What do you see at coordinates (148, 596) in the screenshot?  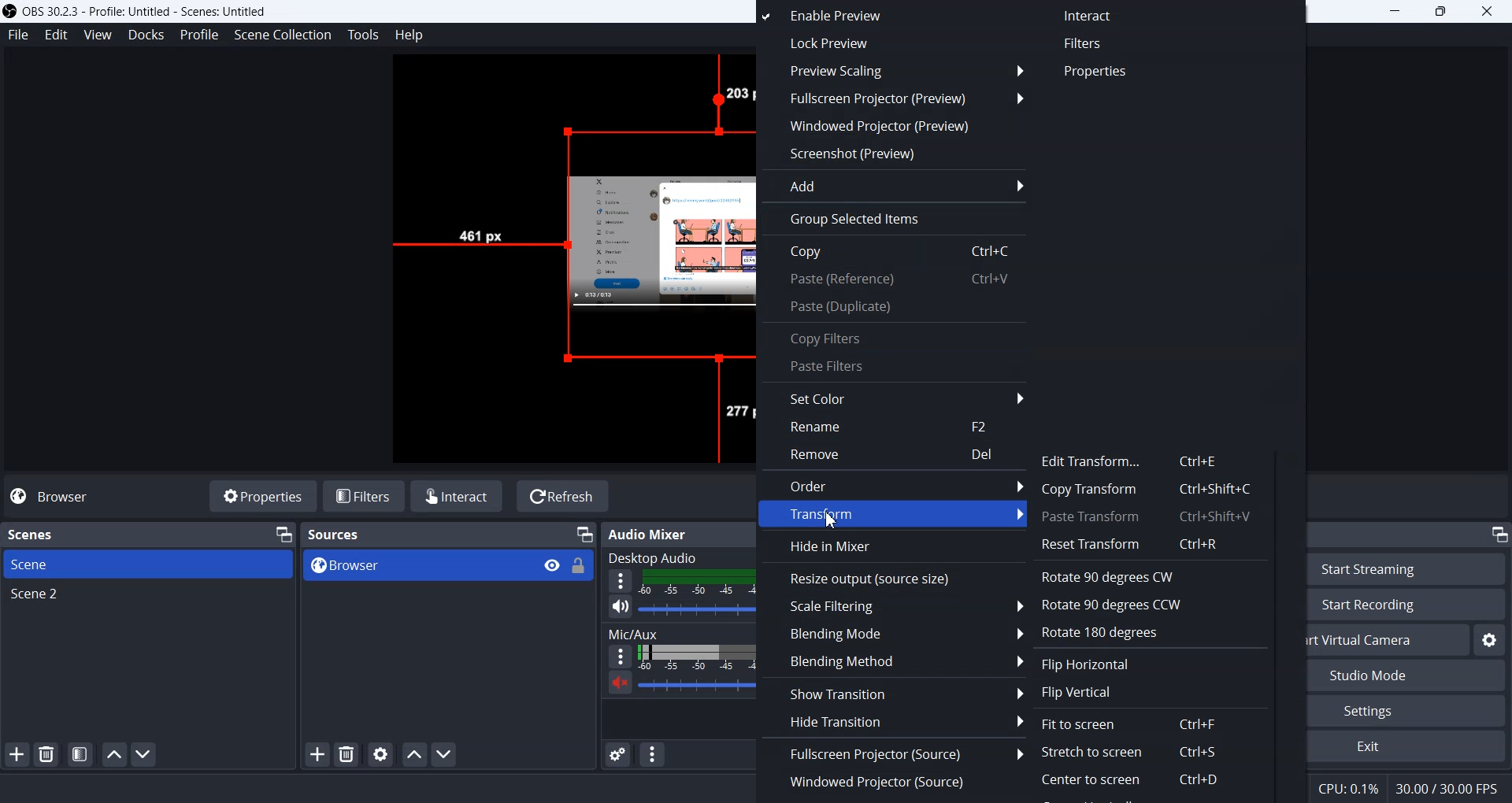 I see `Scene 2` at bounding box center [148, 596].